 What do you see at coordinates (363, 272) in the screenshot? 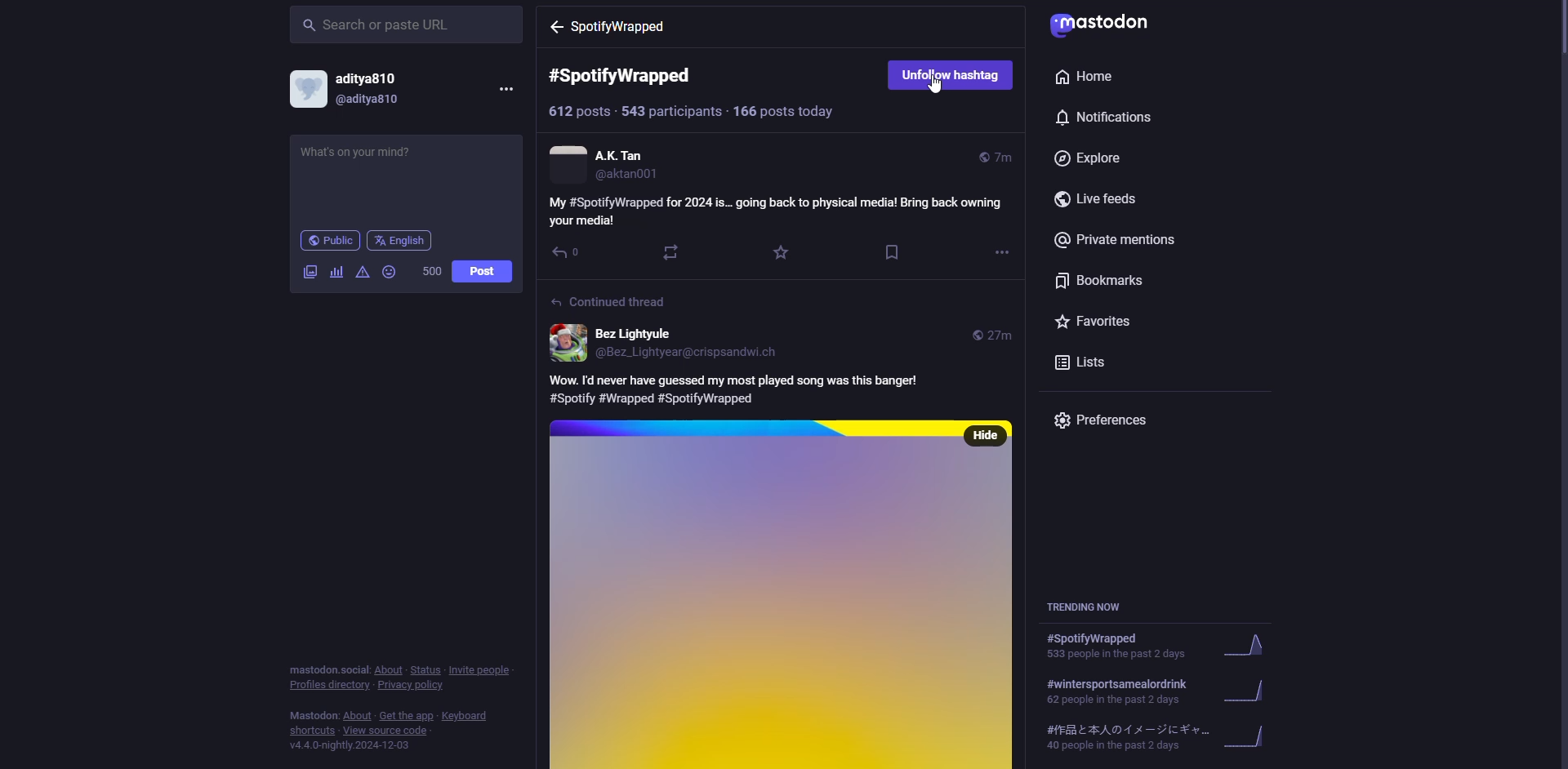
I see `advanced` at bounding box center [363, 272].